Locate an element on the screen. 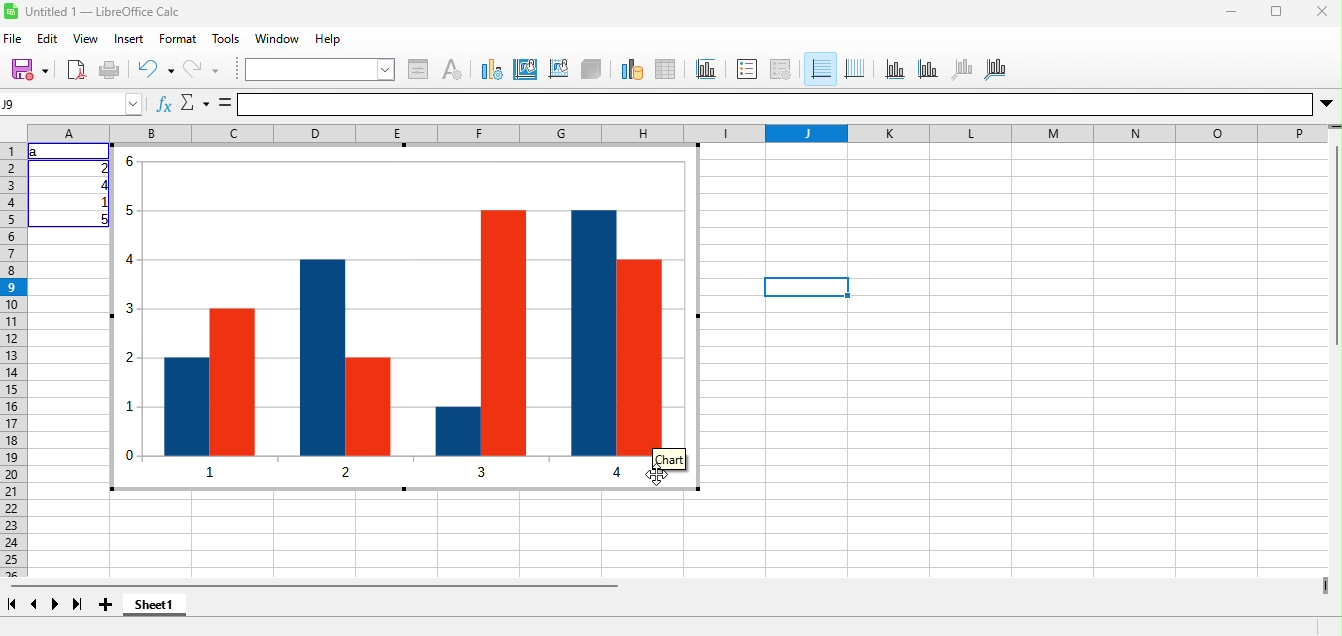 This screenshot has width=1342, height=636. horizontal scroll bar is located at coordinates (312, 585).